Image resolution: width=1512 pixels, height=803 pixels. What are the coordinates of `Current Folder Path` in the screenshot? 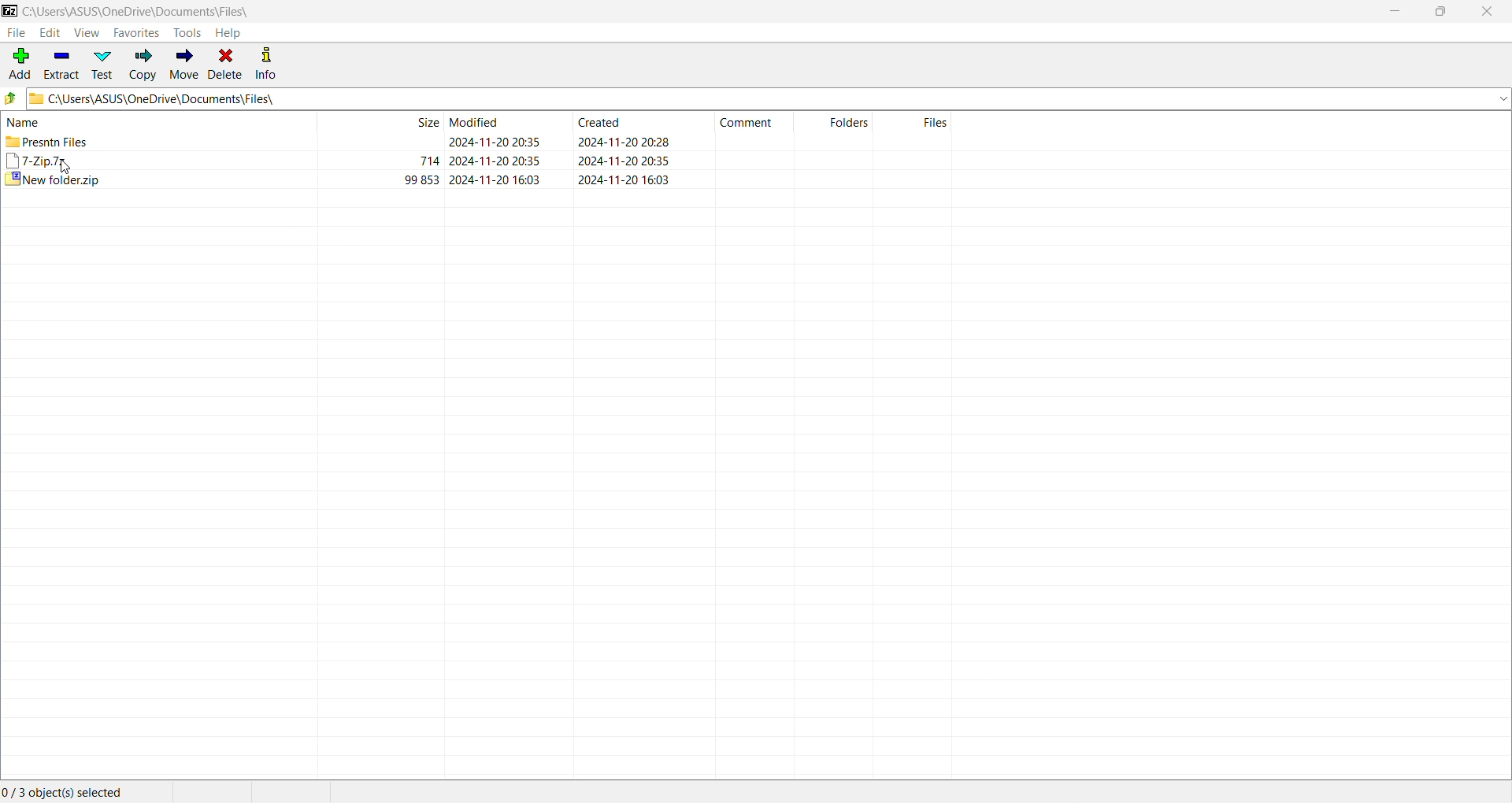 It's located at (769, 97).